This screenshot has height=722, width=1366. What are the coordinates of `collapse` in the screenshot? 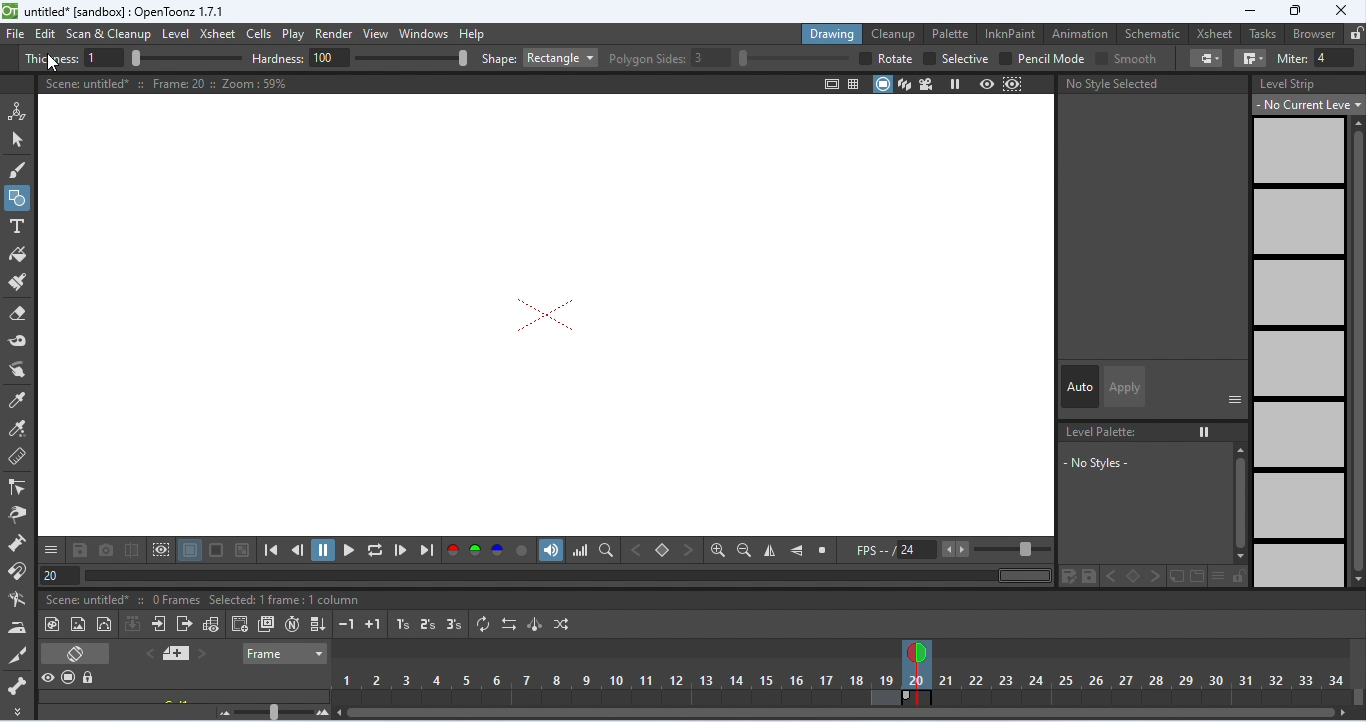 It's located at (135, 623).